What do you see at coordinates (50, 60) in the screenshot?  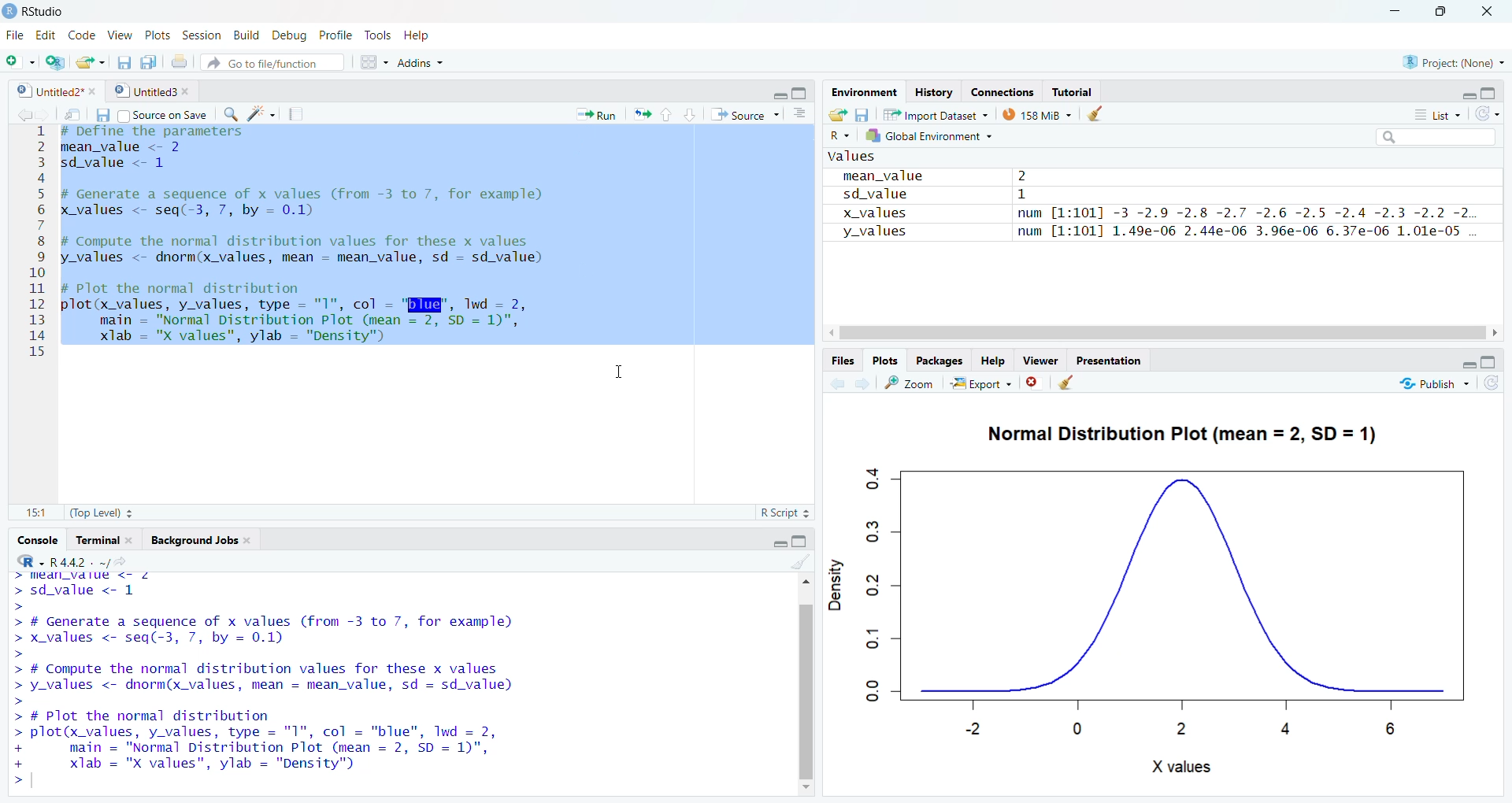 I see `create project` at bounding box center [50, 60].